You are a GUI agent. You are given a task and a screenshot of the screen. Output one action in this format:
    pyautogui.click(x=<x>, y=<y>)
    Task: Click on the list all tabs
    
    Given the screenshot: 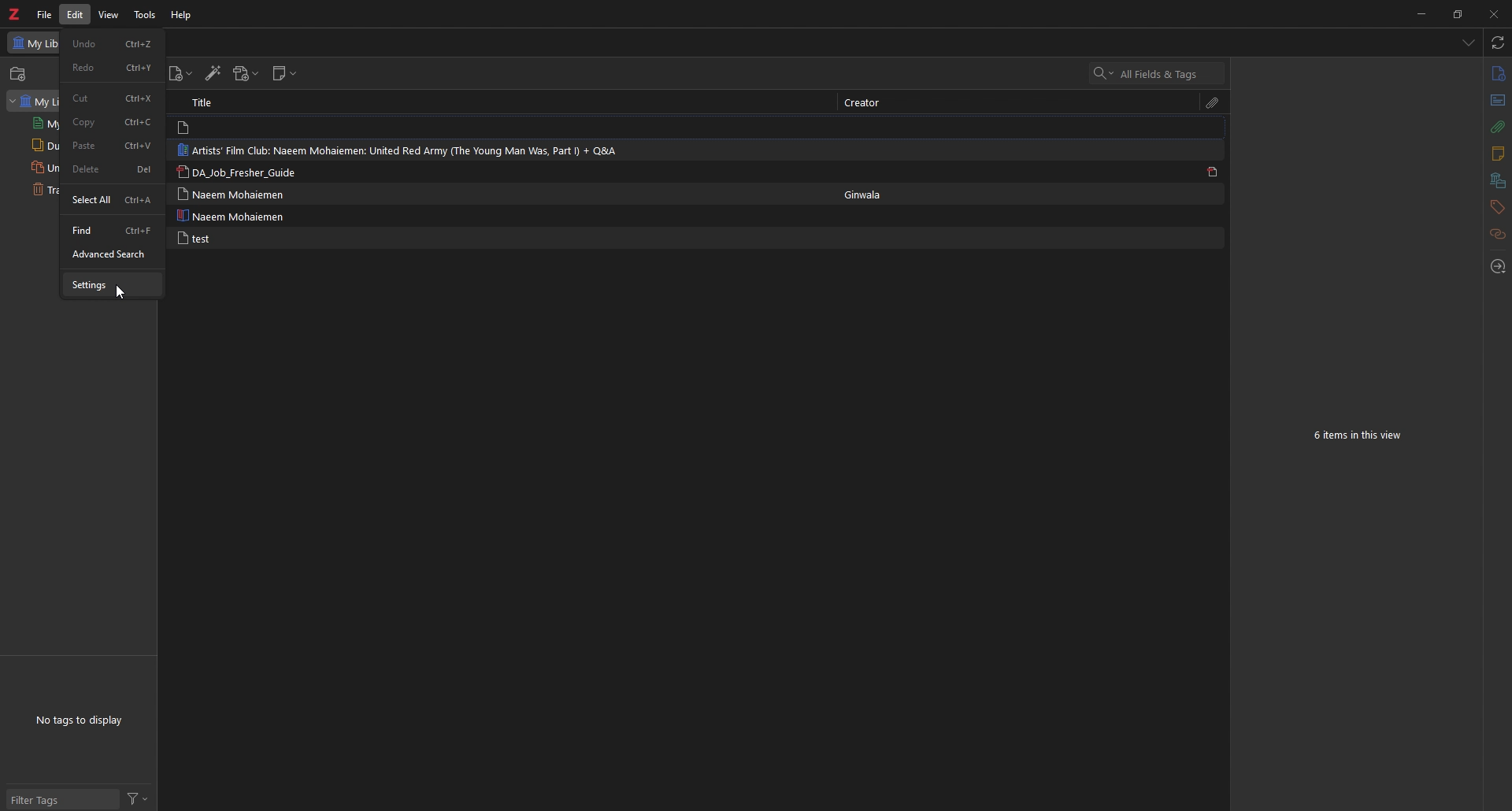 What is the action you would take?
    pyautogui.click(x=1468, y=44)
    